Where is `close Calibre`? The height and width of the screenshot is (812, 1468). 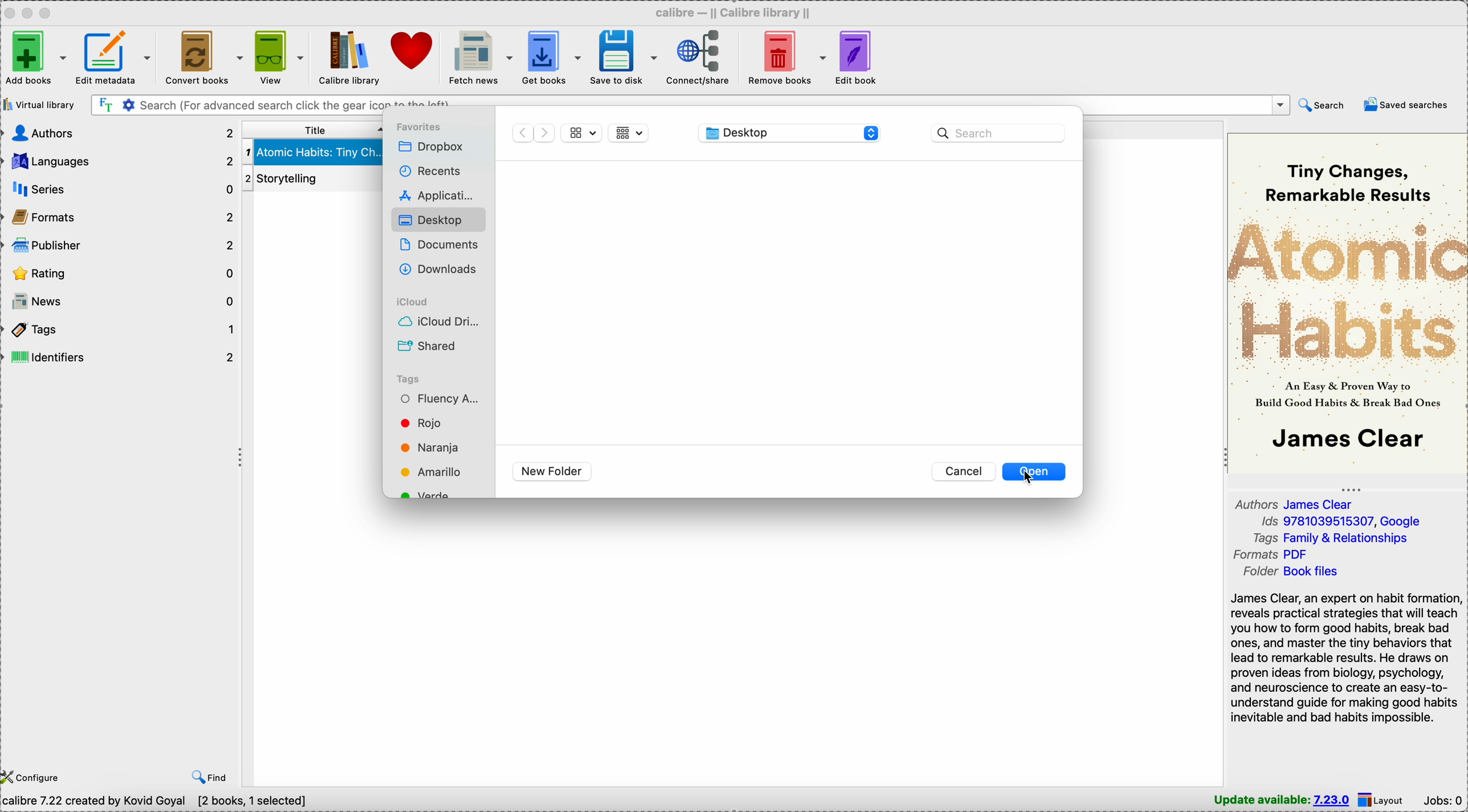 close Calibre is located at coordinates (9, 12).